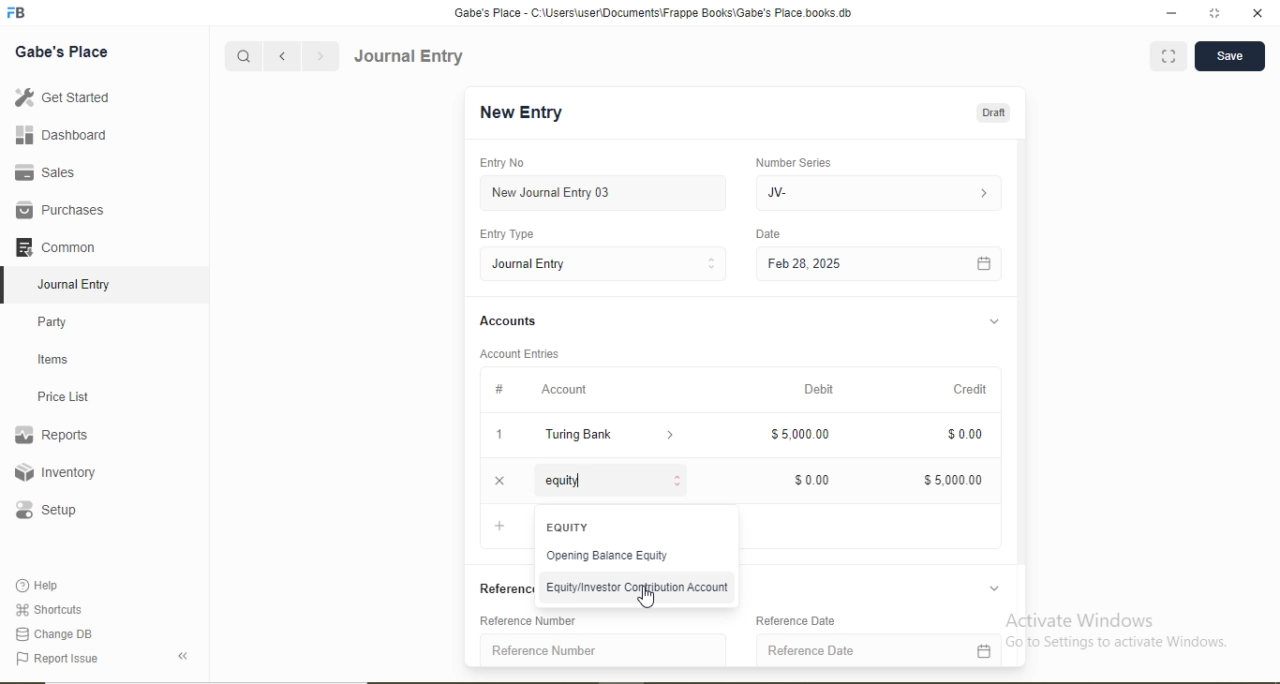 The height and width of the screenshot is (684, 1280). What do you see at coordinates (970, 389) in the screenshot?
I see `Credit` at bounding box center [970, 389].